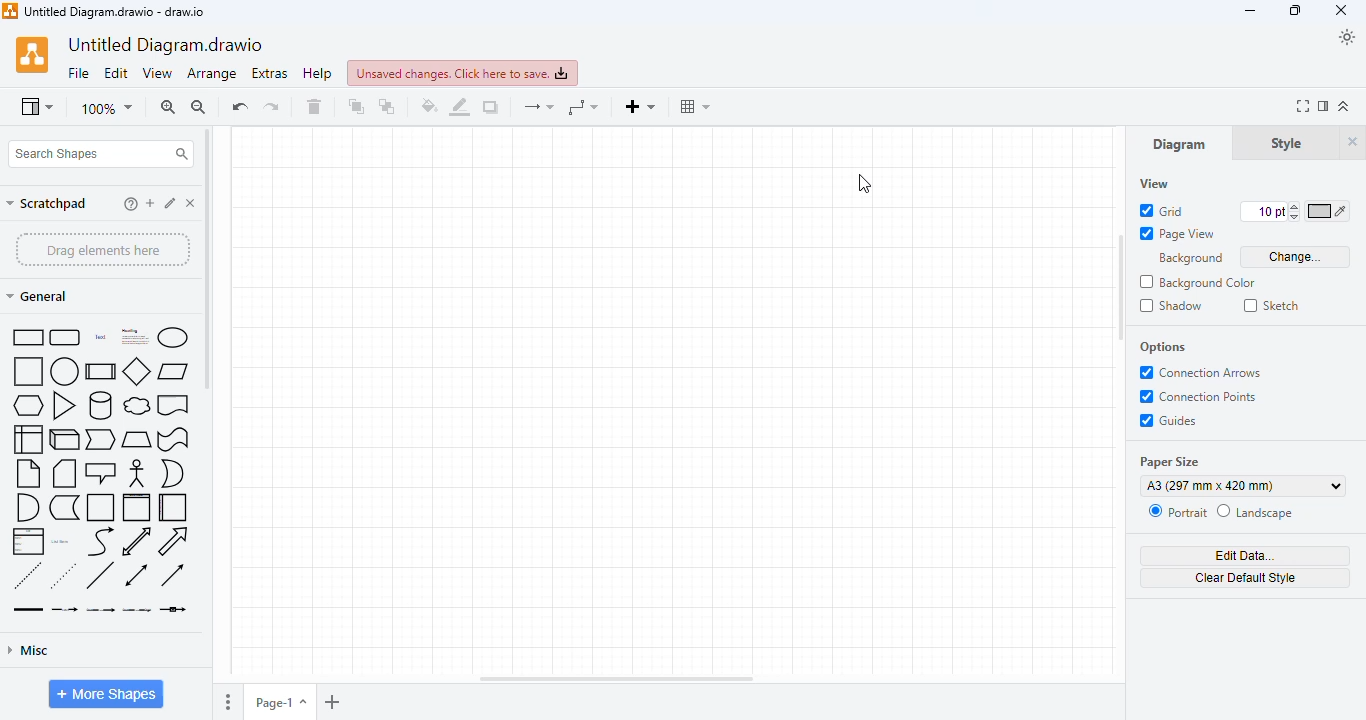  Describe the element at coordinates (1169, 420) in the screenshot. I see `guides` at that location.